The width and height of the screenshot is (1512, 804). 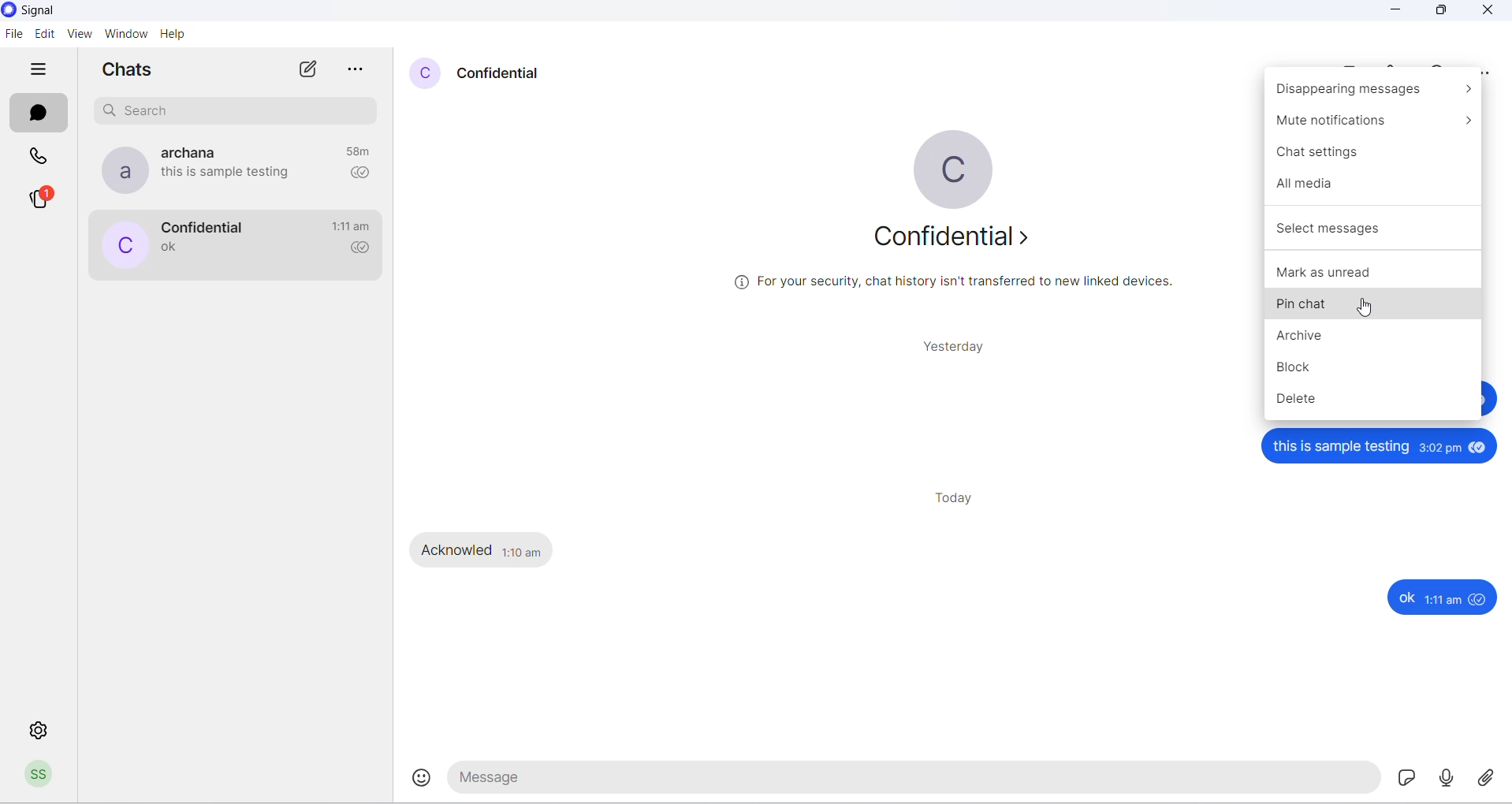 I want to click on contact name, so click(x=505, y=75).